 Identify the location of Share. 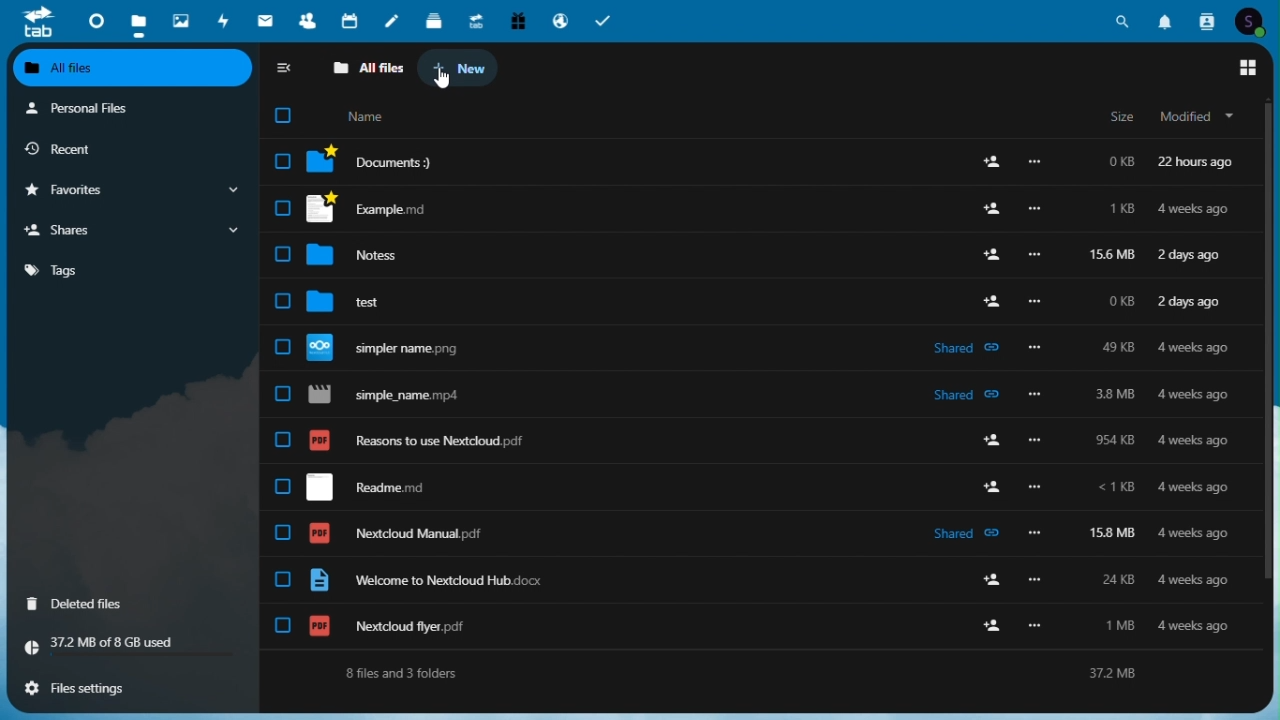
(128, 229).